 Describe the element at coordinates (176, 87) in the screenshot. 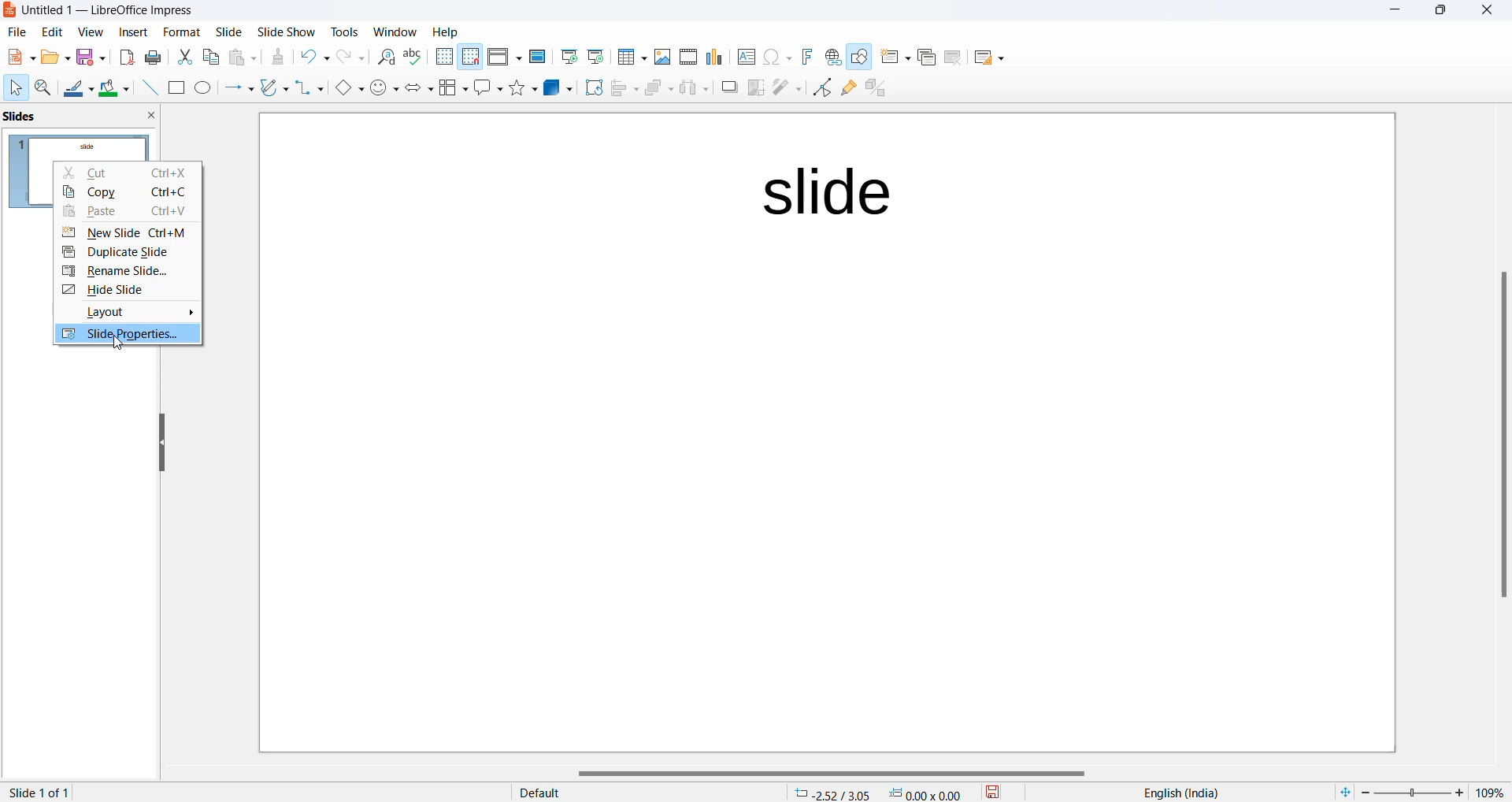

I see `rectangle ` at that location.